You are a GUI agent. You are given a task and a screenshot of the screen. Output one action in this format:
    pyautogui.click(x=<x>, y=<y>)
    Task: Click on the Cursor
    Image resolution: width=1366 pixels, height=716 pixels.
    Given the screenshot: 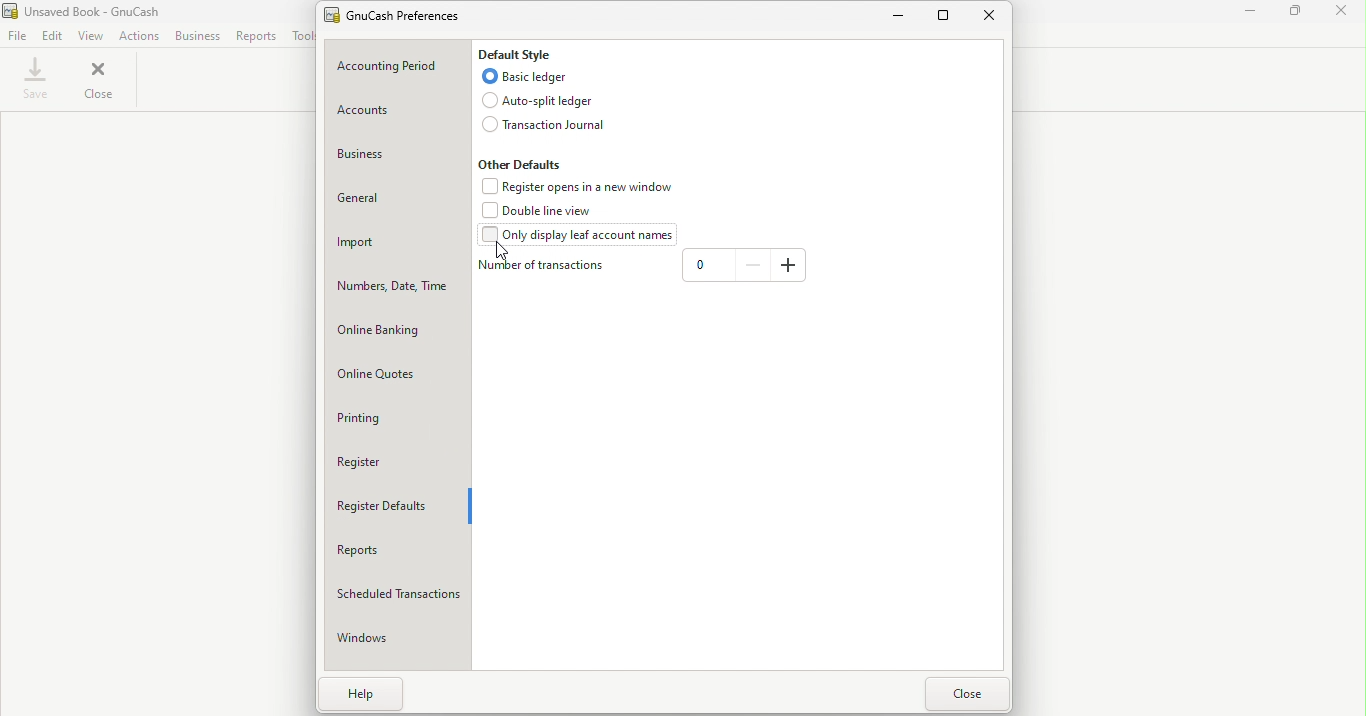 What is the action you would take?
    pyautogui.click(x=501, y=251)
    